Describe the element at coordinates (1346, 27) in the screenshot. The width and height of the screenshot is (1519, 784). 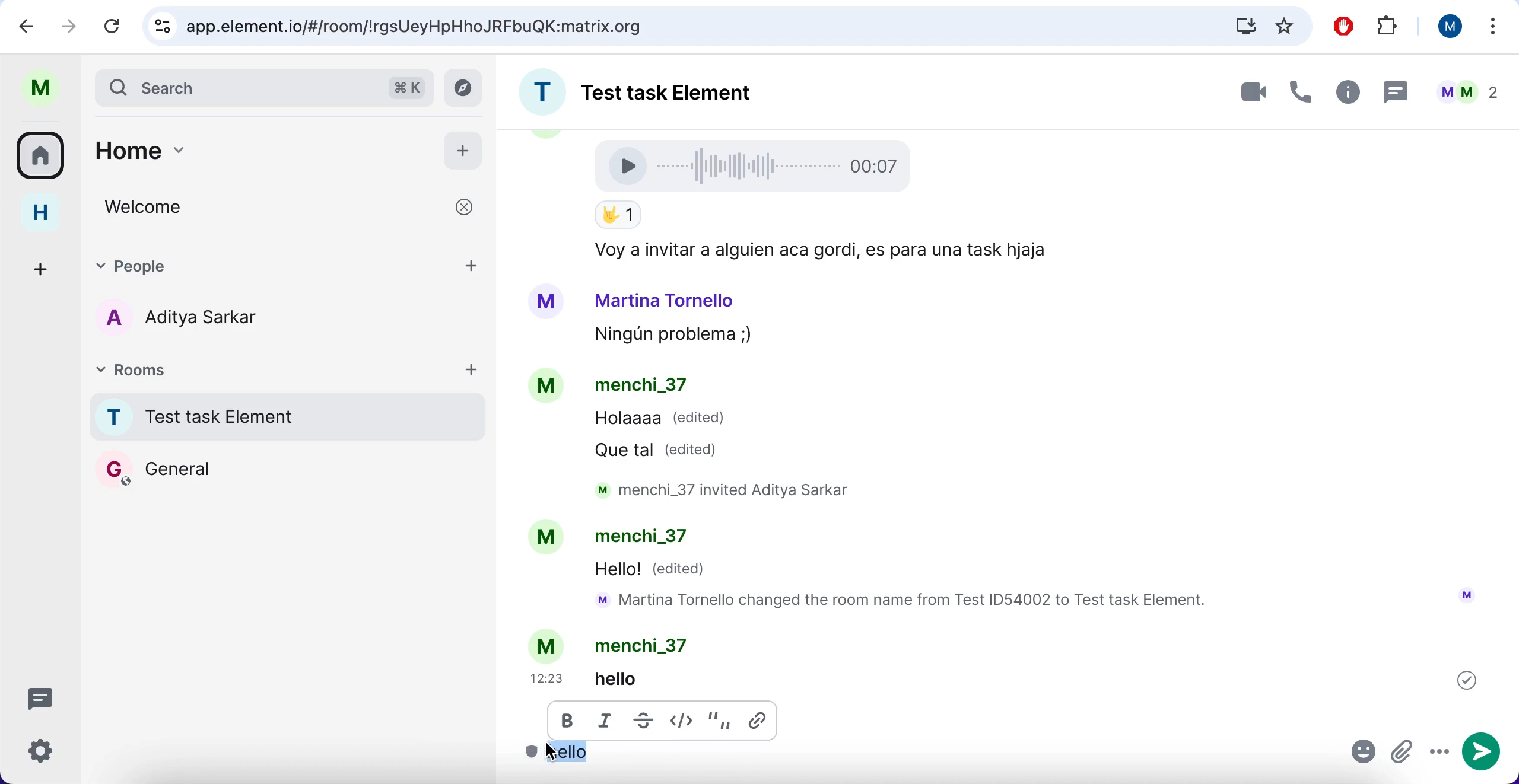
I see `ad block` at that location.